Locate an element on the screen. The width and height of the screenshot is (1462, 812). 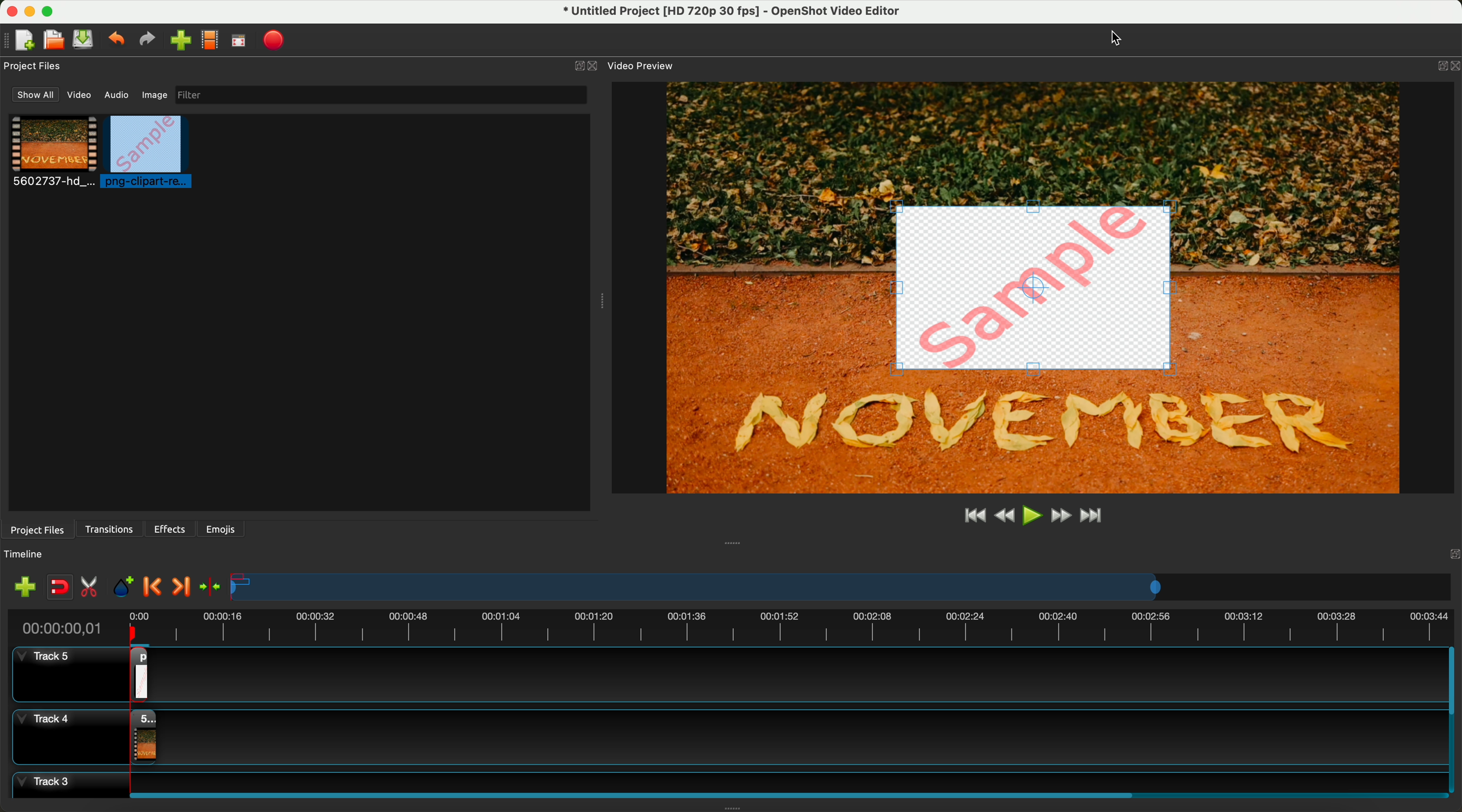
timeline is located at coordinates (30, 554).